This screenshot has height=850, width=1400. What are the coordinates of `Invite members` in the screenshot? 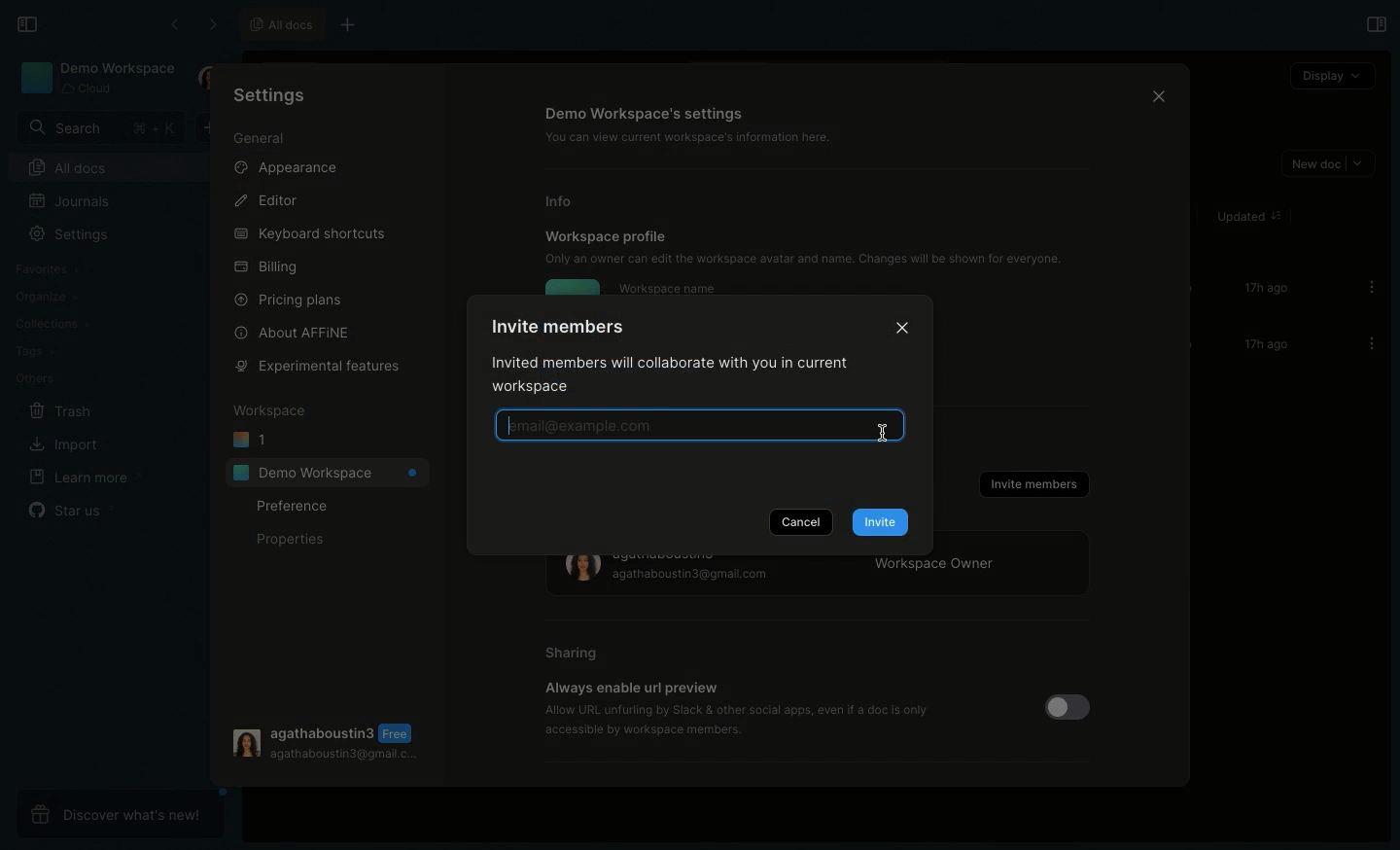 It's located at (558, 326).